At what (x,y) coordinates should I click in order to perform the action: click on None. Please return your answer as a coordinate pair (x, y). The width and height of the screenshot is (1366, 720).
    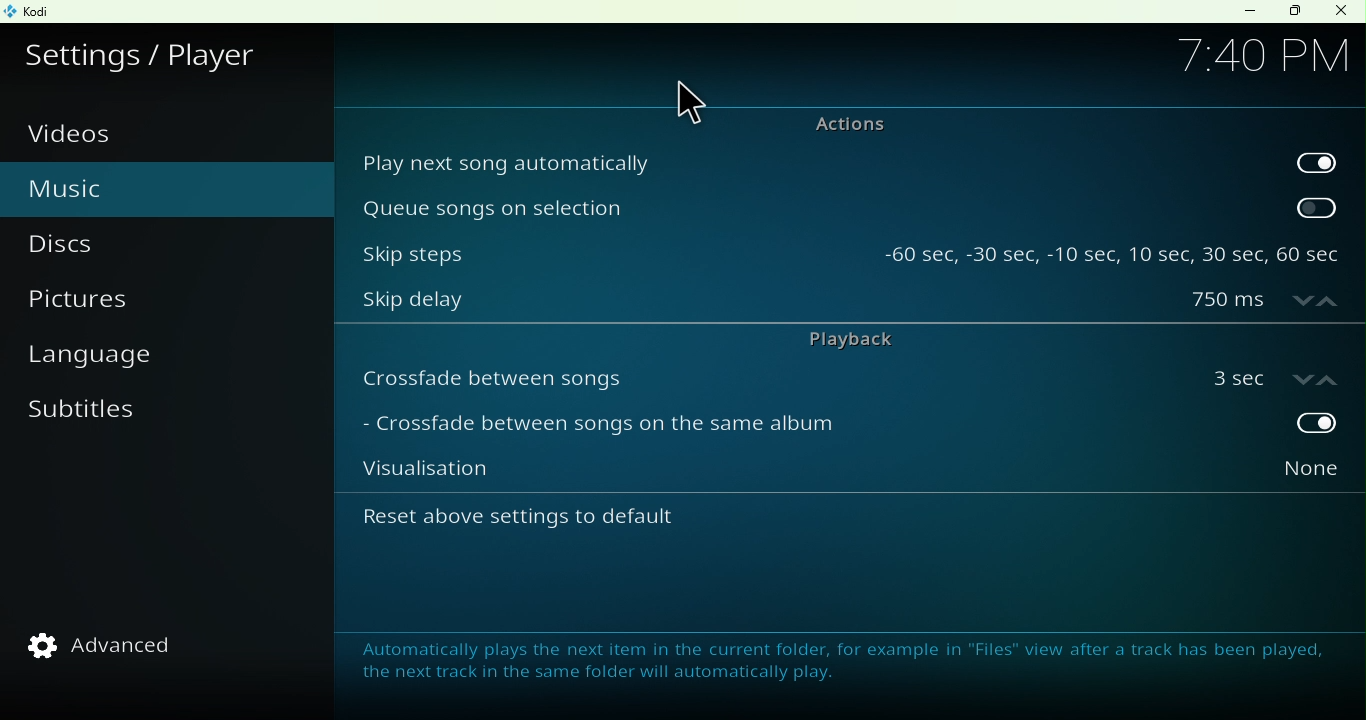
    Looking at the image, I should click on (1267, 475).